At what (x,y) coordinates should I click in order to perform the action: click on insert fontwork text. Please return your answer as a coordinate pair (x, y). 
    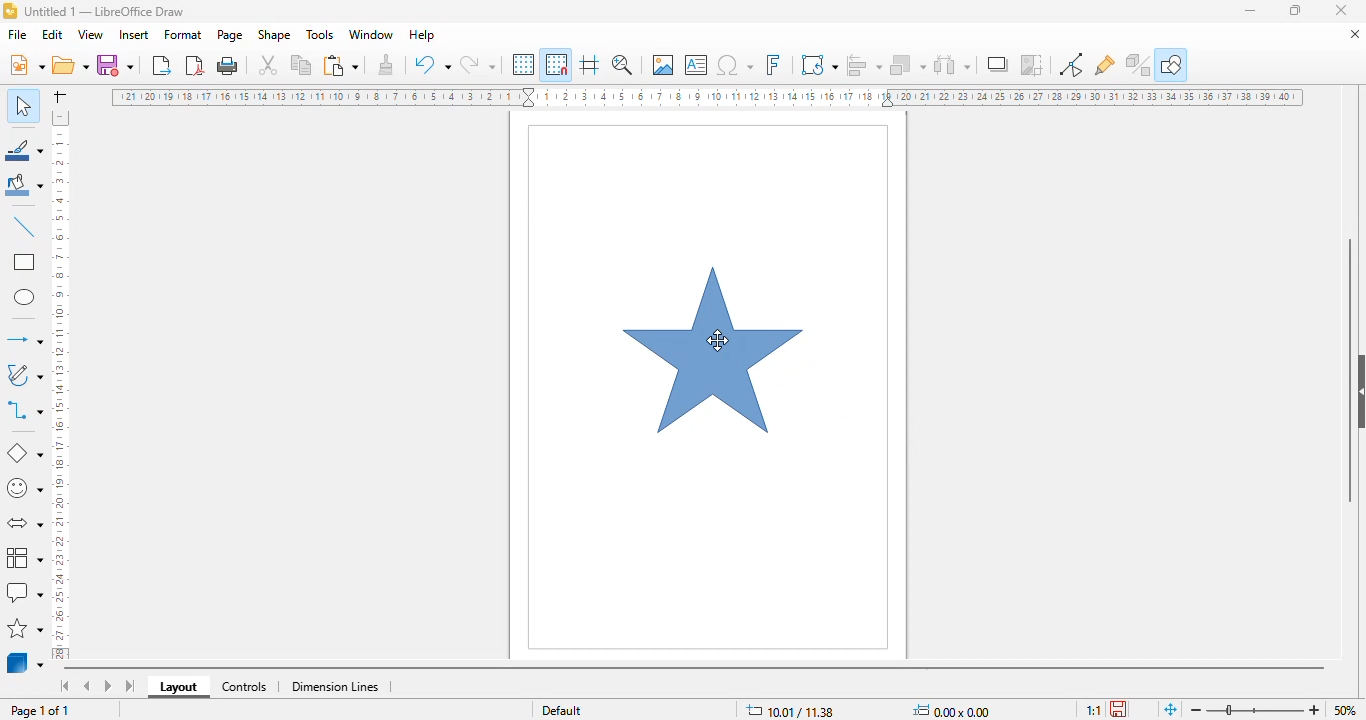
    Looking at the image, I should click on (773, 64).